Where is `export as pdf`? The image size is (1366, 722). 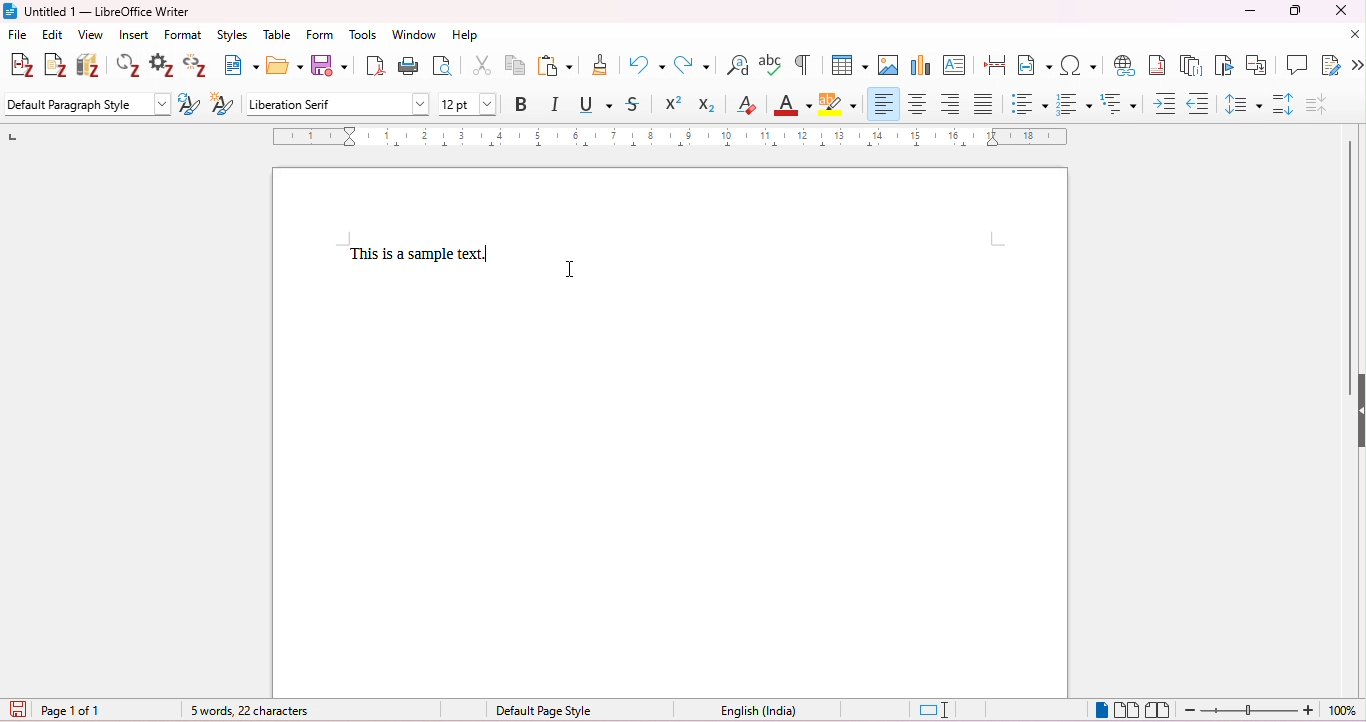
export as pdf is located at coordinates (377, 66).